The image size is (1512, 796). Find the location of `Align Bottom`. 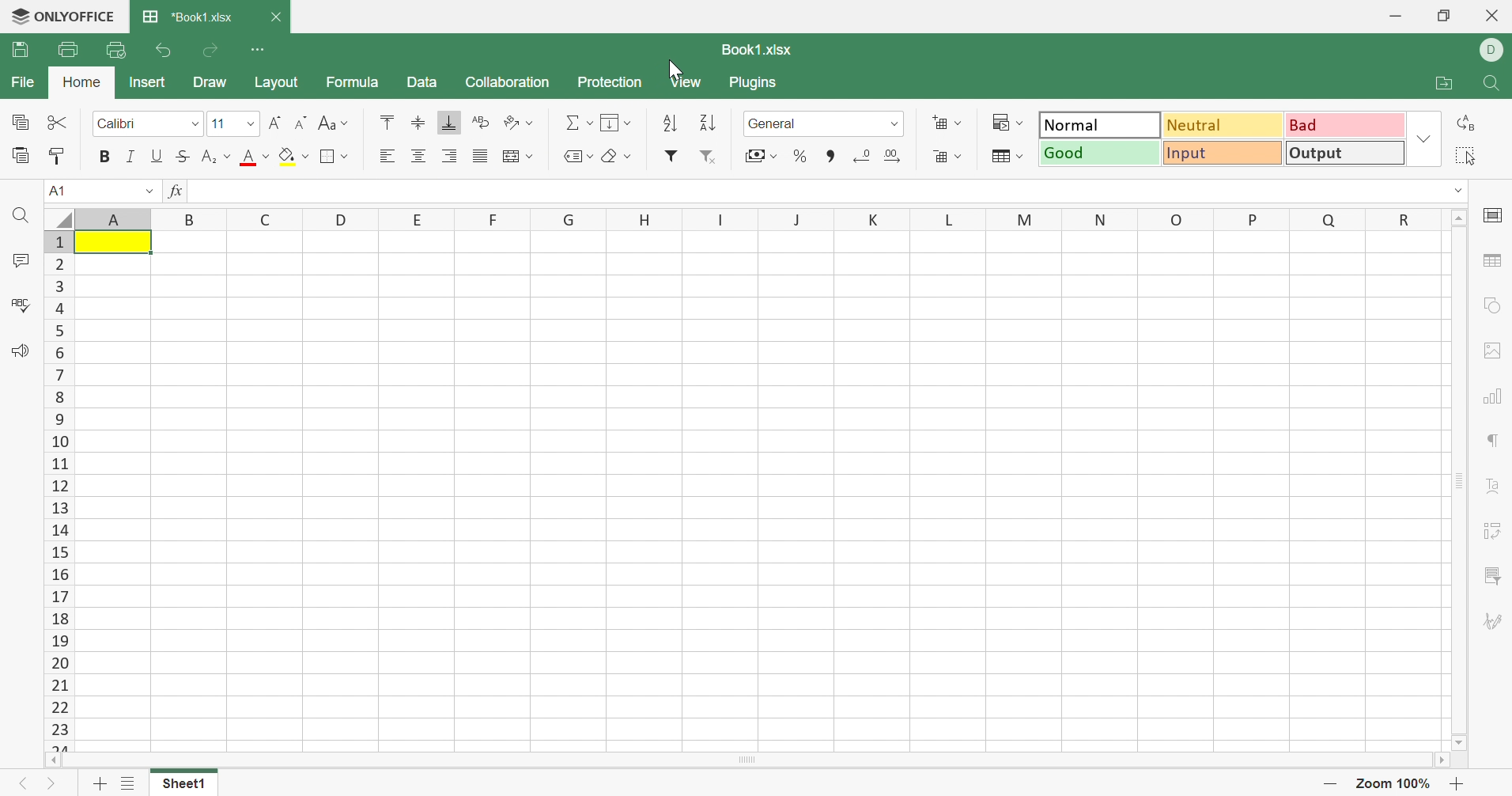

Align Bottom is located at coordinates (449, 122).